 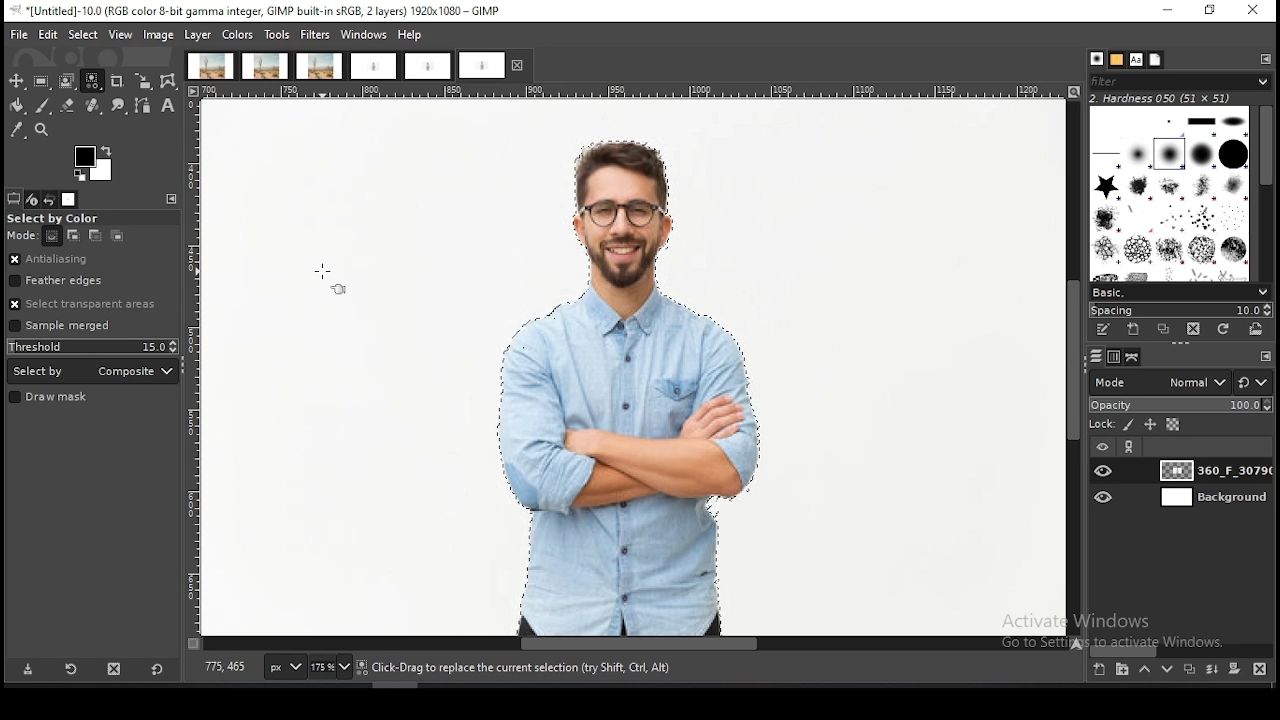 I want to click on save tool preset, so click(x=27, y=669).